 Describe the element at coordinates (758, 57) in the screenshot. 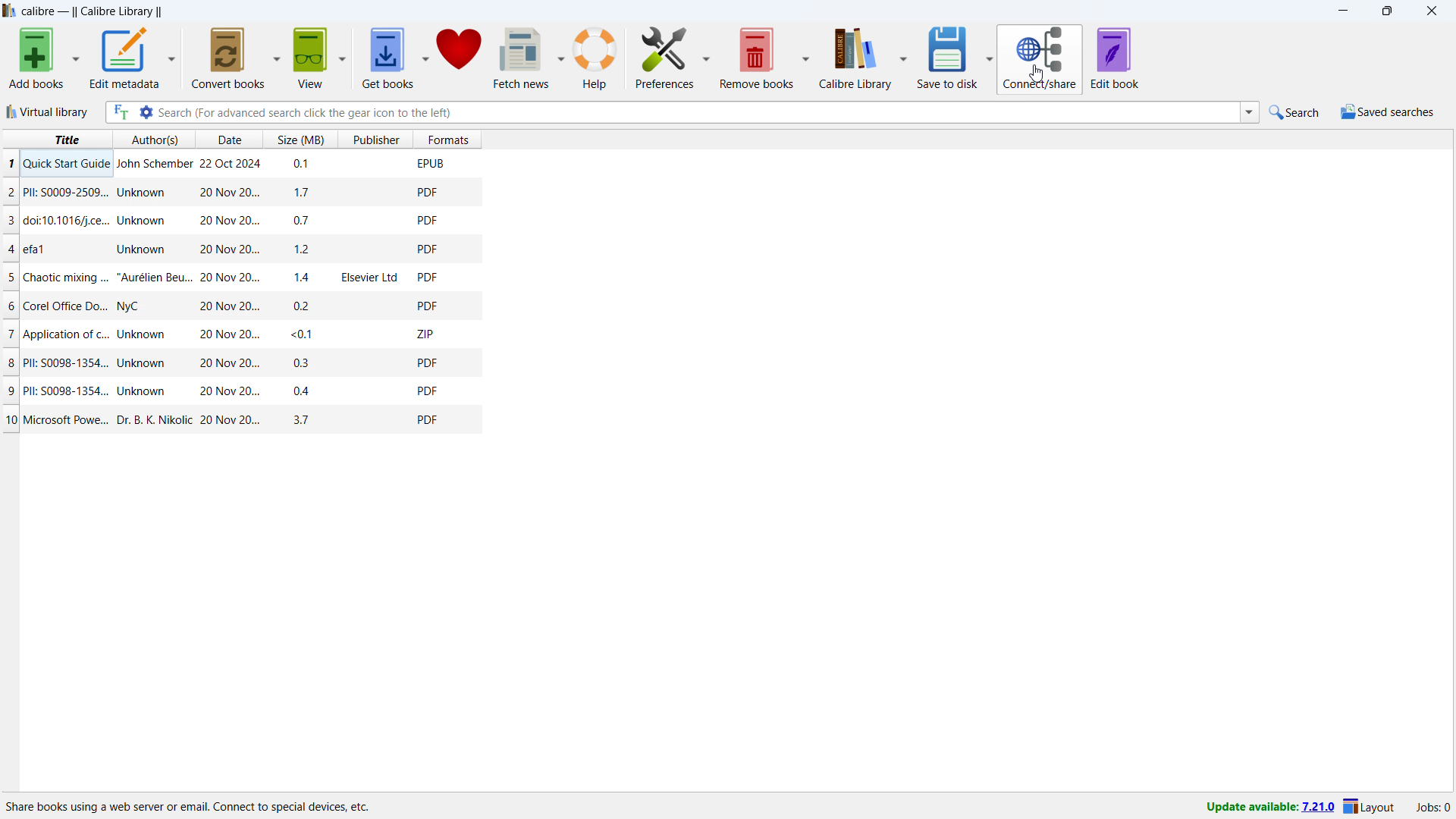

I see `remove books` at that location.